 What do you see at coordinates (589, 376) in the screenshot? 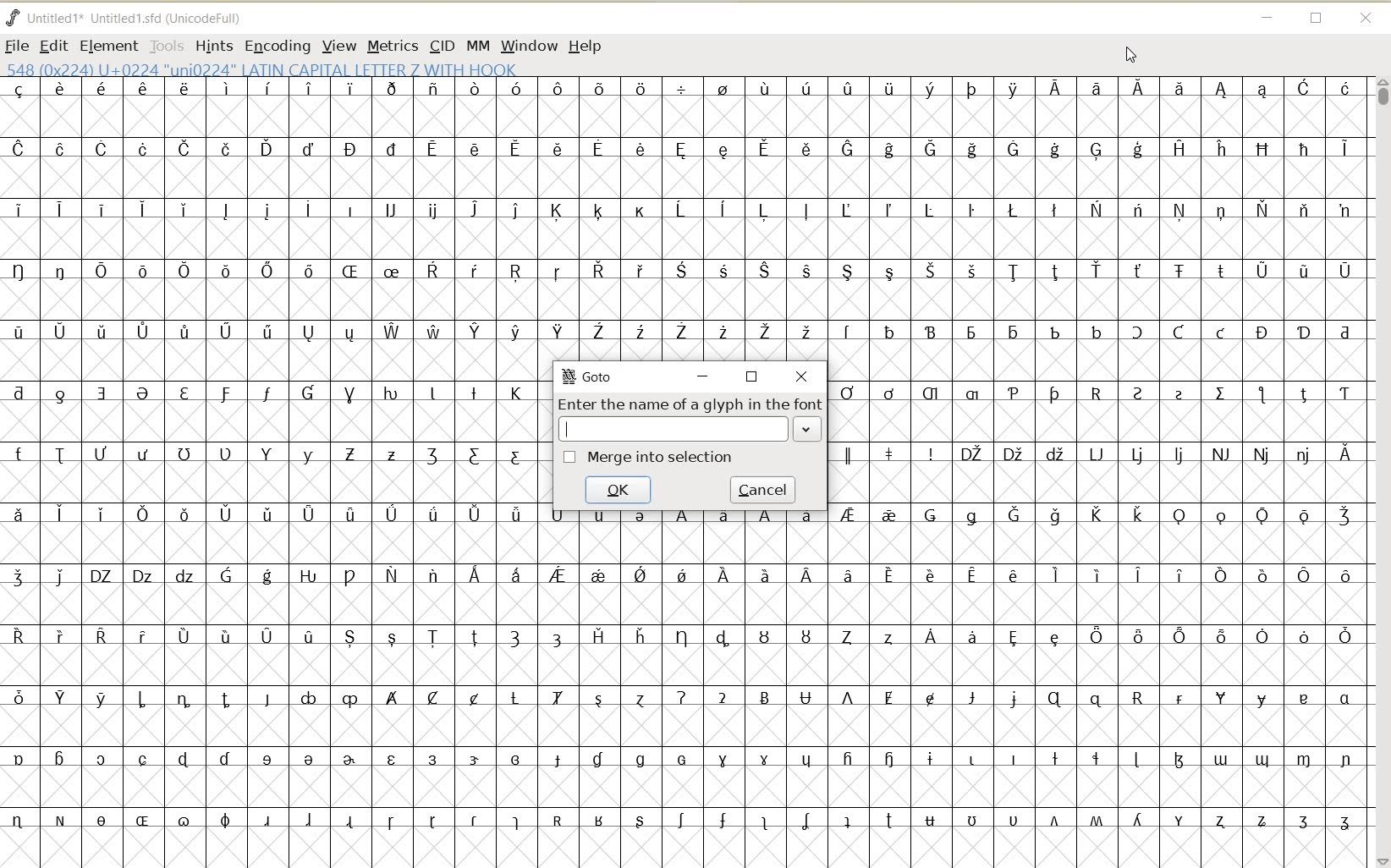
I see `GoTo` at bounding box center [589, 376].